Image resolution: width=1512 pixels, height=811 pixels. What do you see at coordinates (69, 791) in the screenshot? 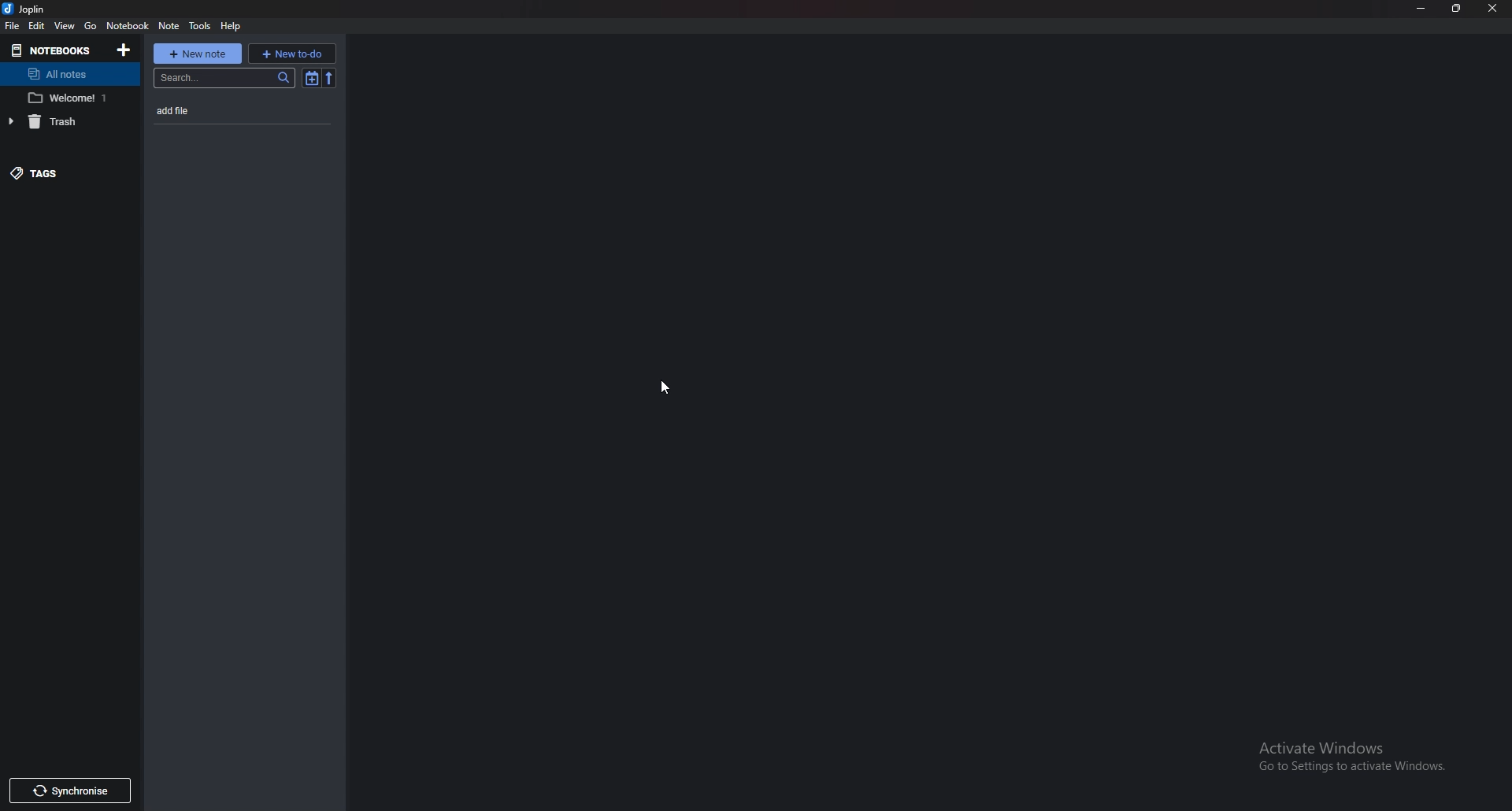
I see `Synchronize` at bounding box center [69, 791].